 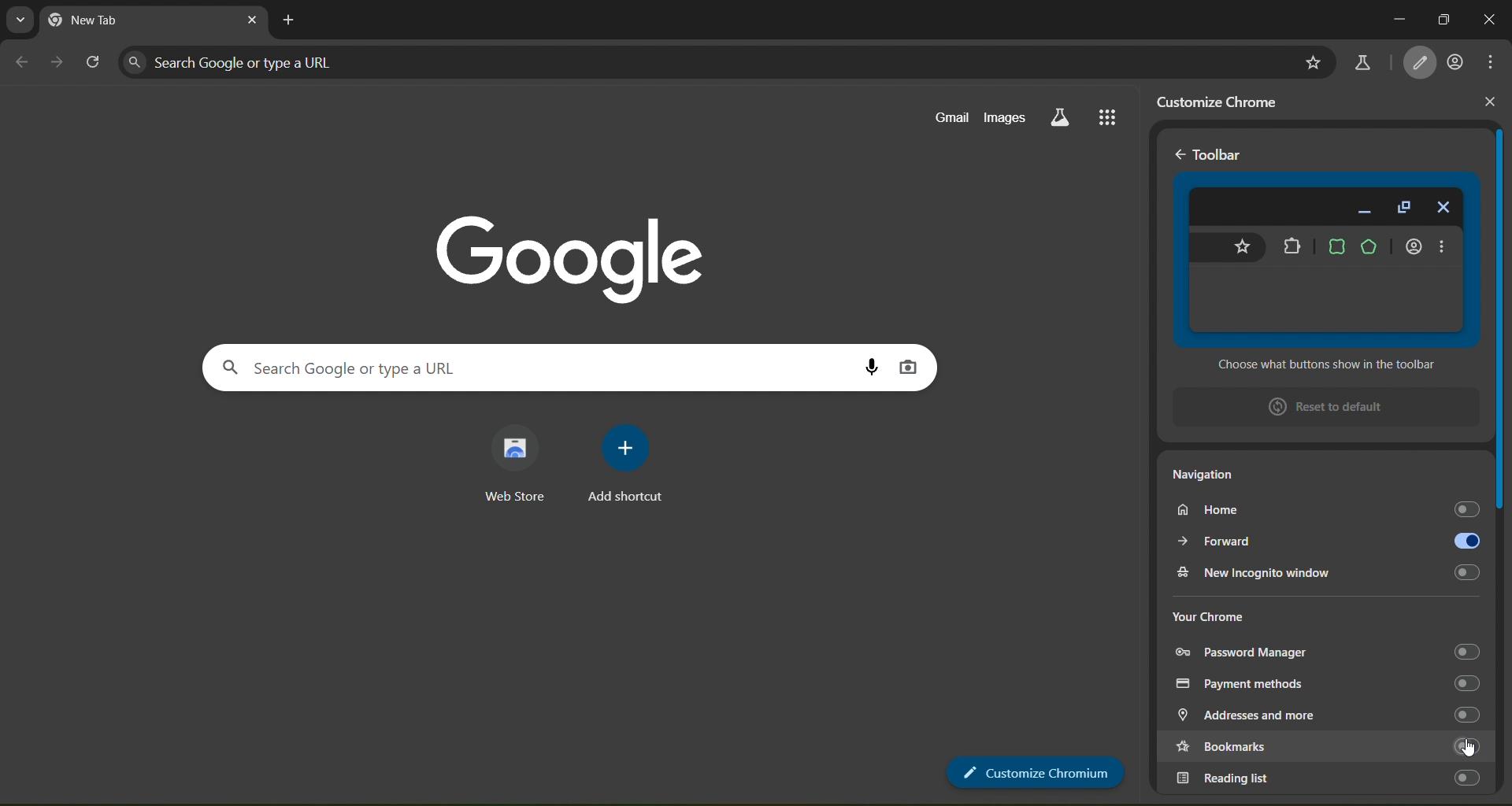 I want to click on search tabs, so click(x=20, y=19).